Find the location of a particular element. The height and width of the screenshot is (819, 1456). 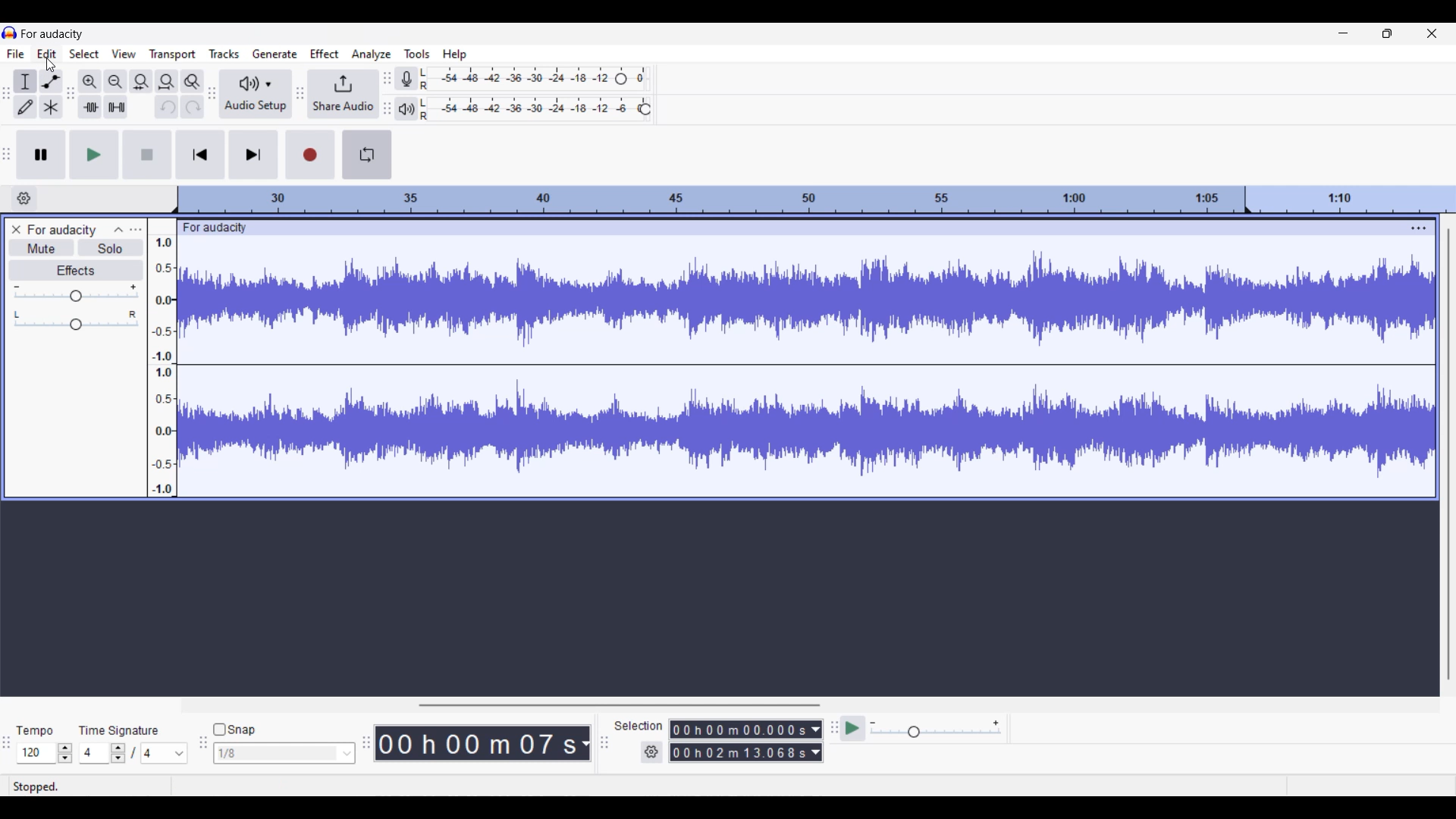

Multi-tool is located at coordinates (51, 106).